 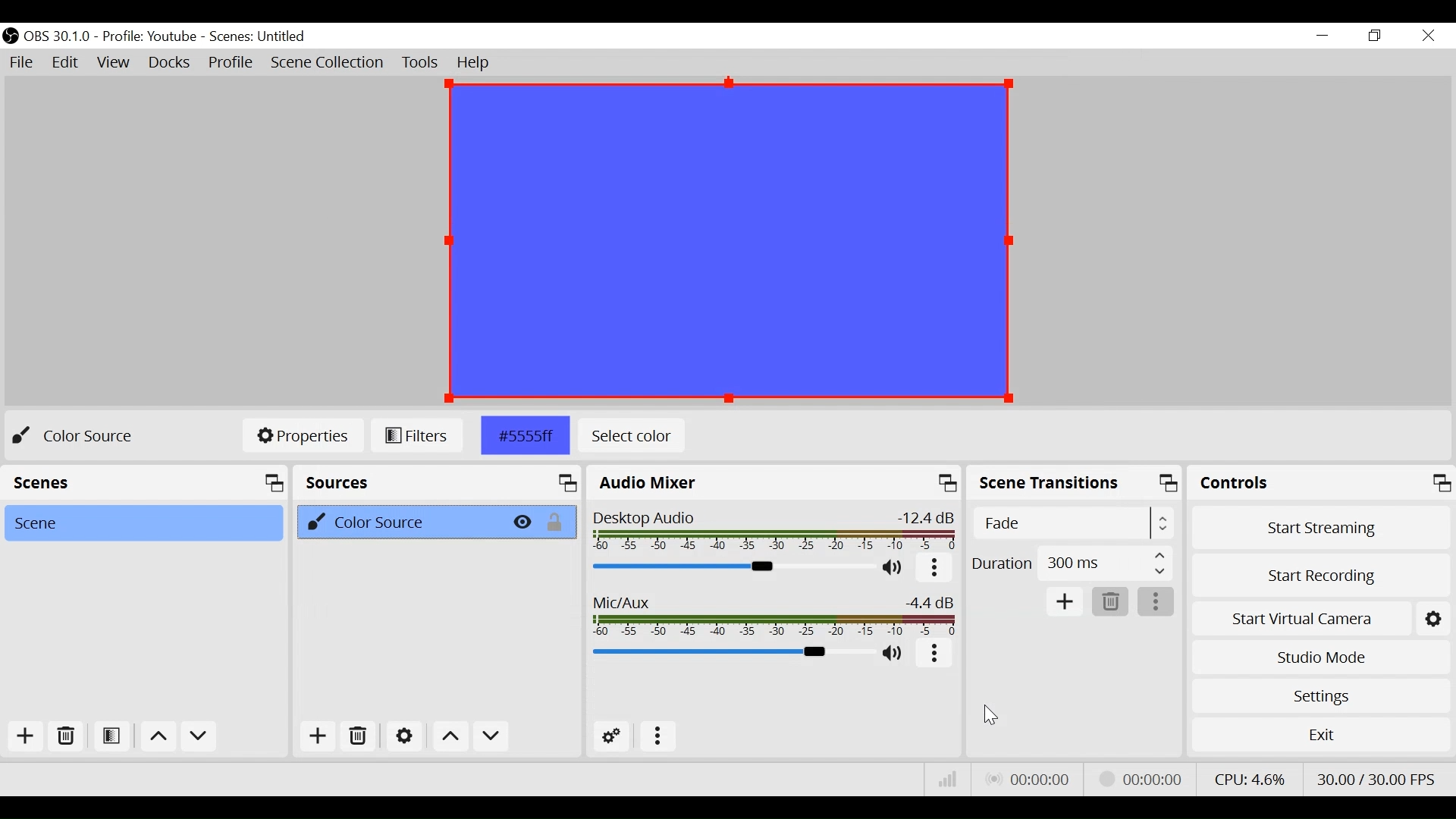 I want to click on (un)mute, so click(x=896, y=569).